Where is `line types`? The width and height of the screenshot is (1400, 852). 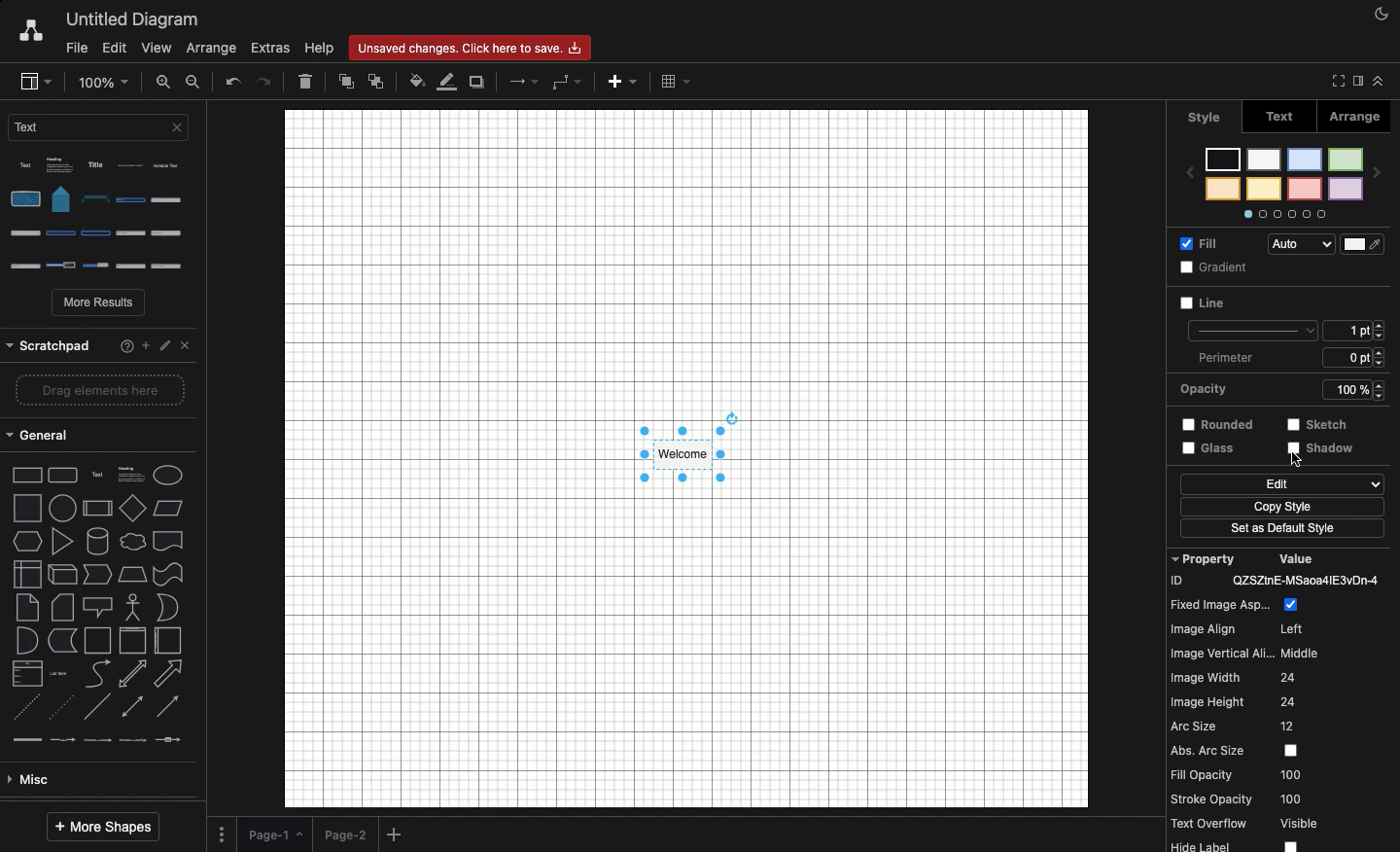 line types is located at coordinates (104, 578).